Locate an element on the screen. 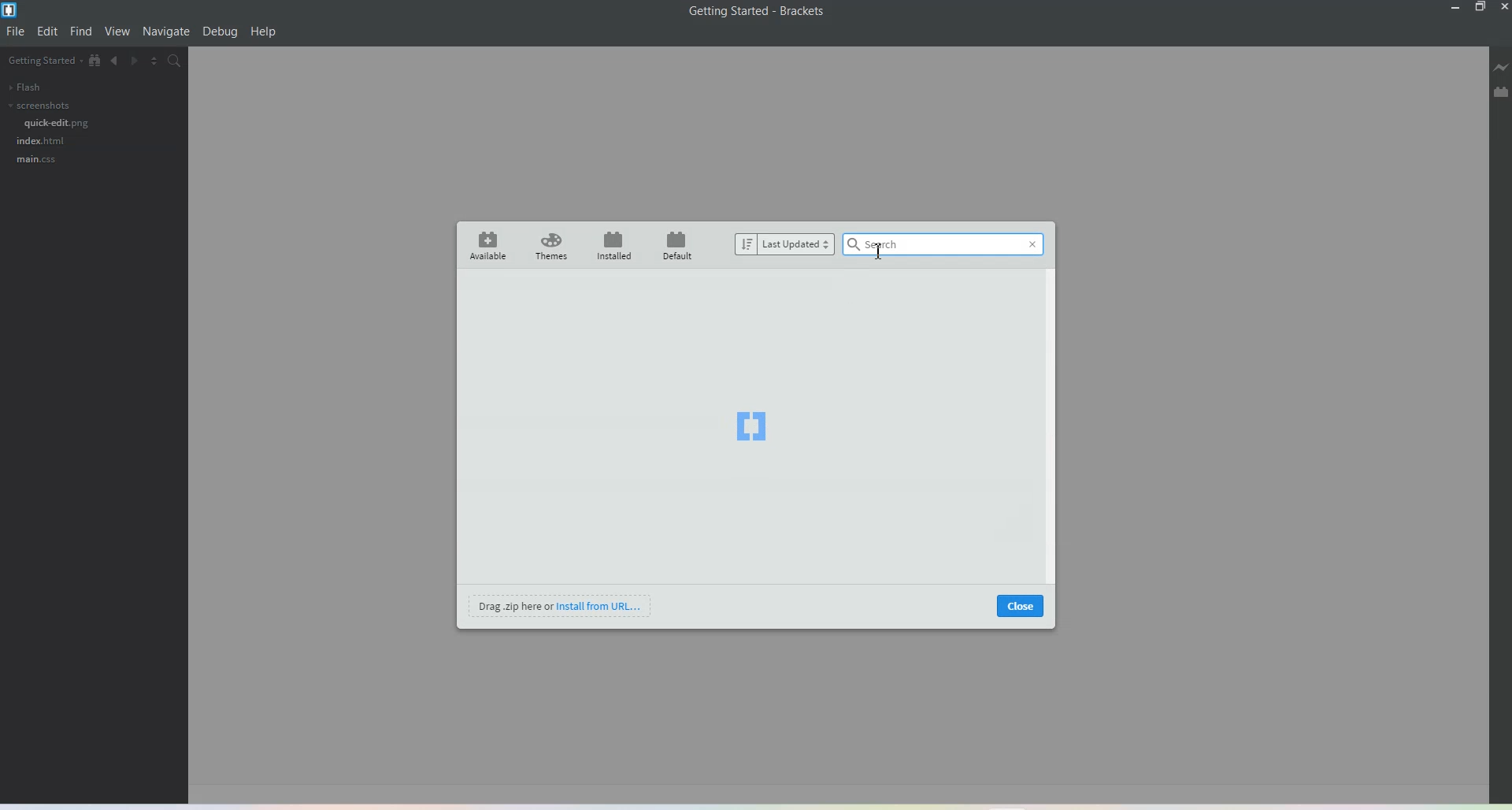 Image resolution: width=1512 pixels, height=810 pixels. File is located at coordinates (17, 32).